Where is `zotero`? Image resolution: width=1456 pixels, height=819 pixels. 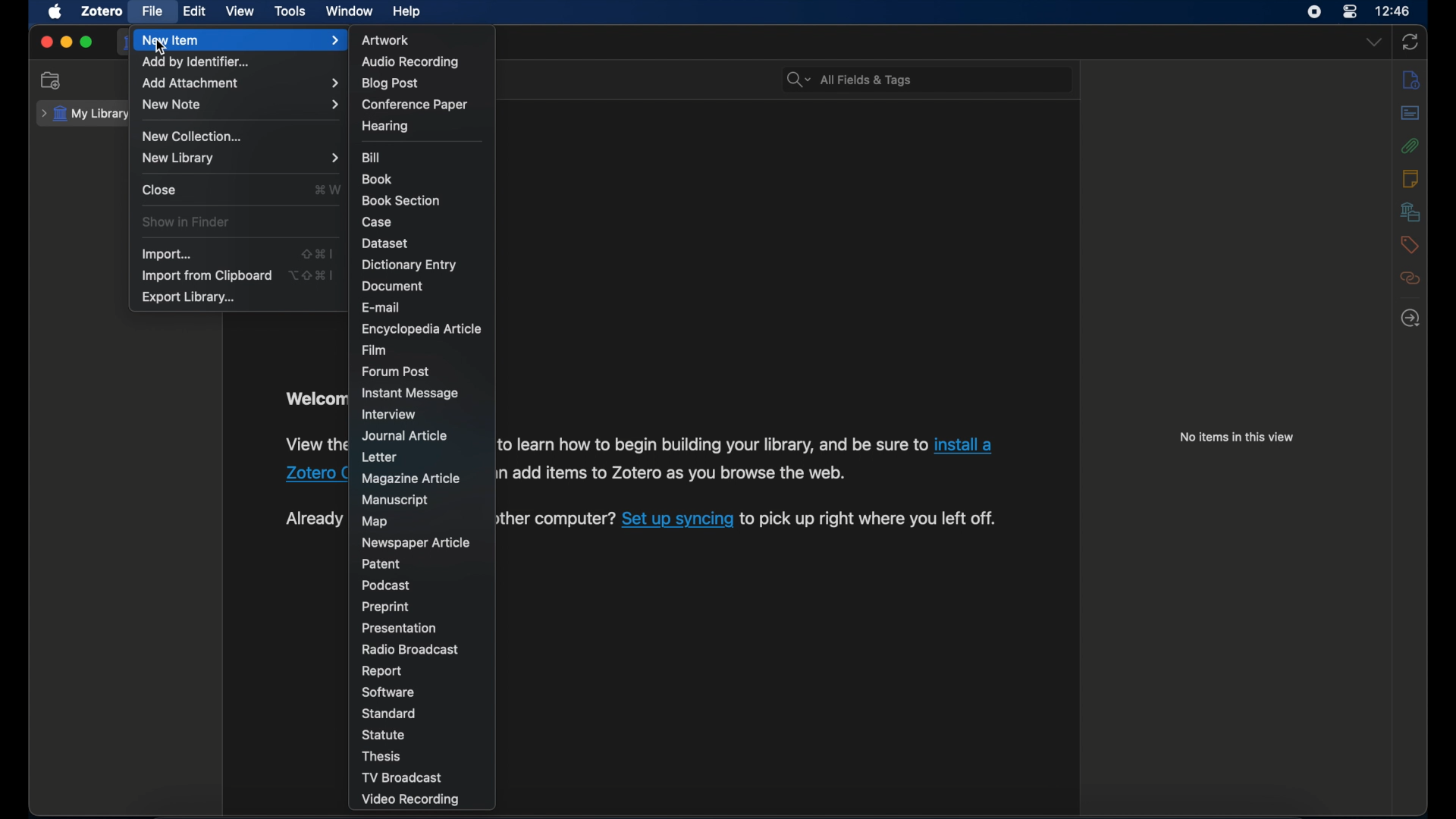 zotero is located at coordinates (103, 11).